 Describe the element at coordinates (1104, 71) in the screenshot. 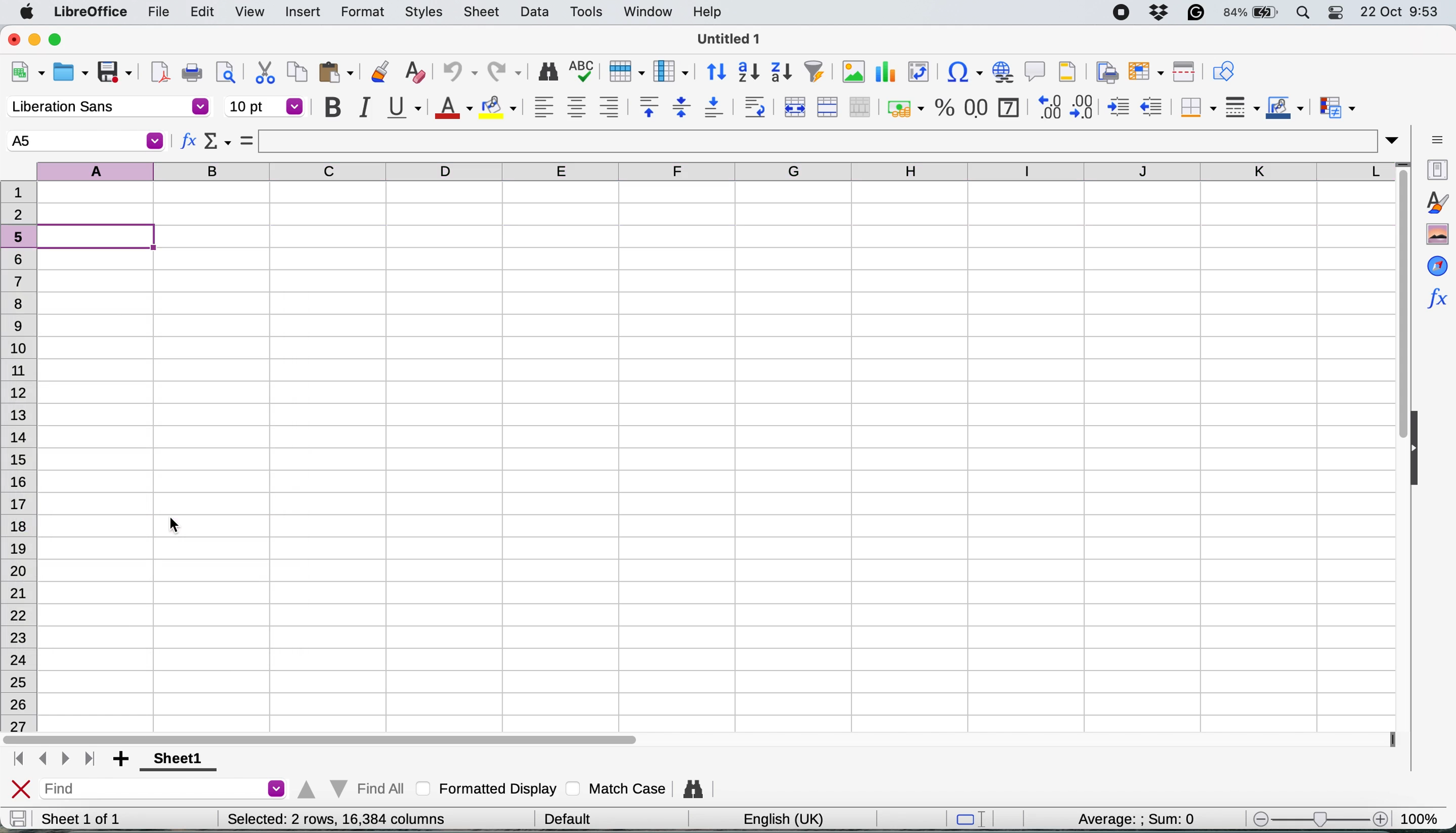

I see `define print area` at that location.